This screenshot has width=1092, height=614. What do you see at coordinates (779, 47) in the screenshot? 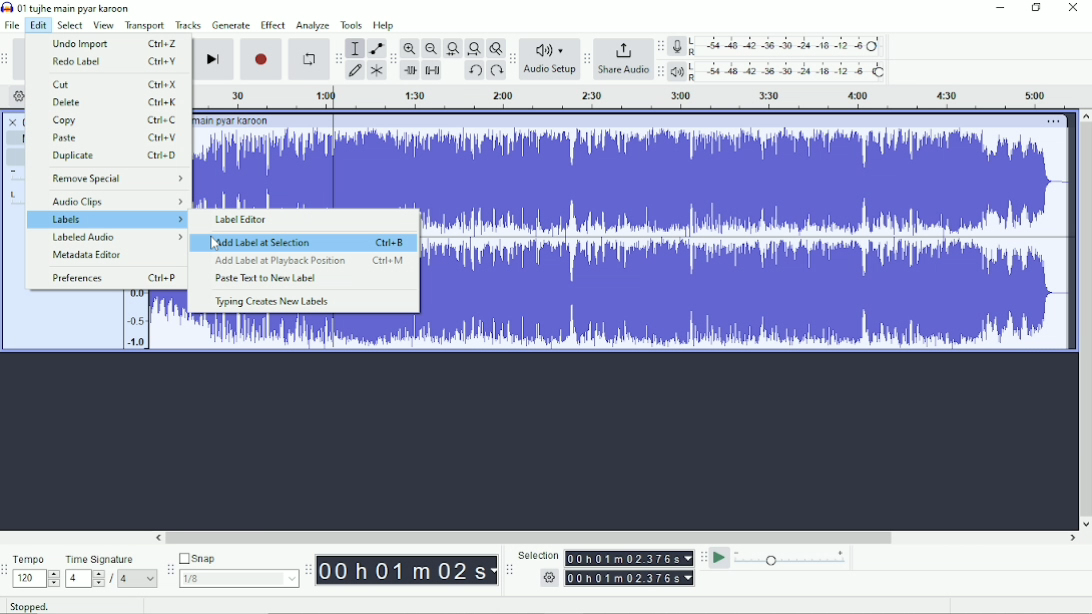
I see `Record meter` at bounding box center [779, 47].